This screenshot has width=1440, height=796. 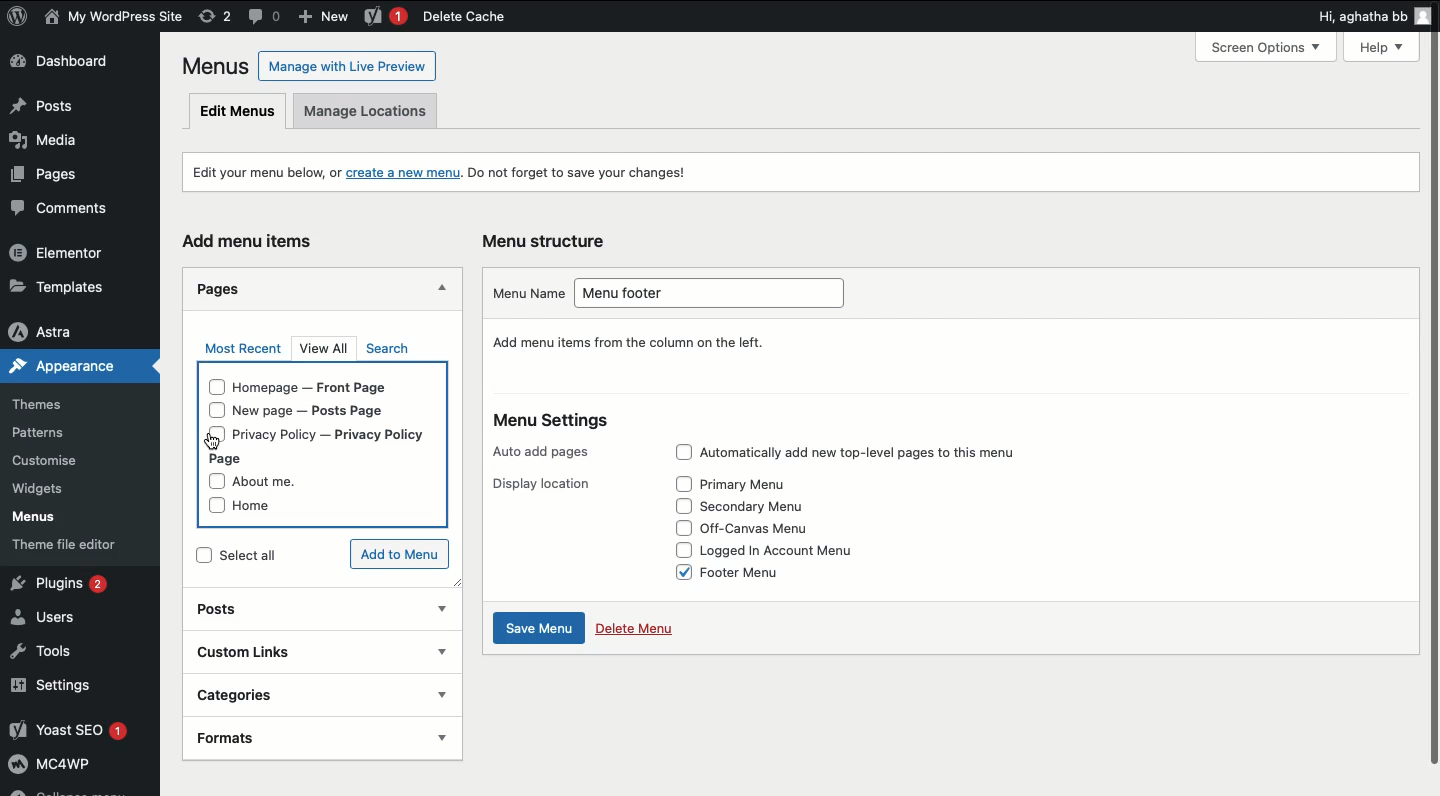 I want to click on Most recent, so click(x=242, y=349).